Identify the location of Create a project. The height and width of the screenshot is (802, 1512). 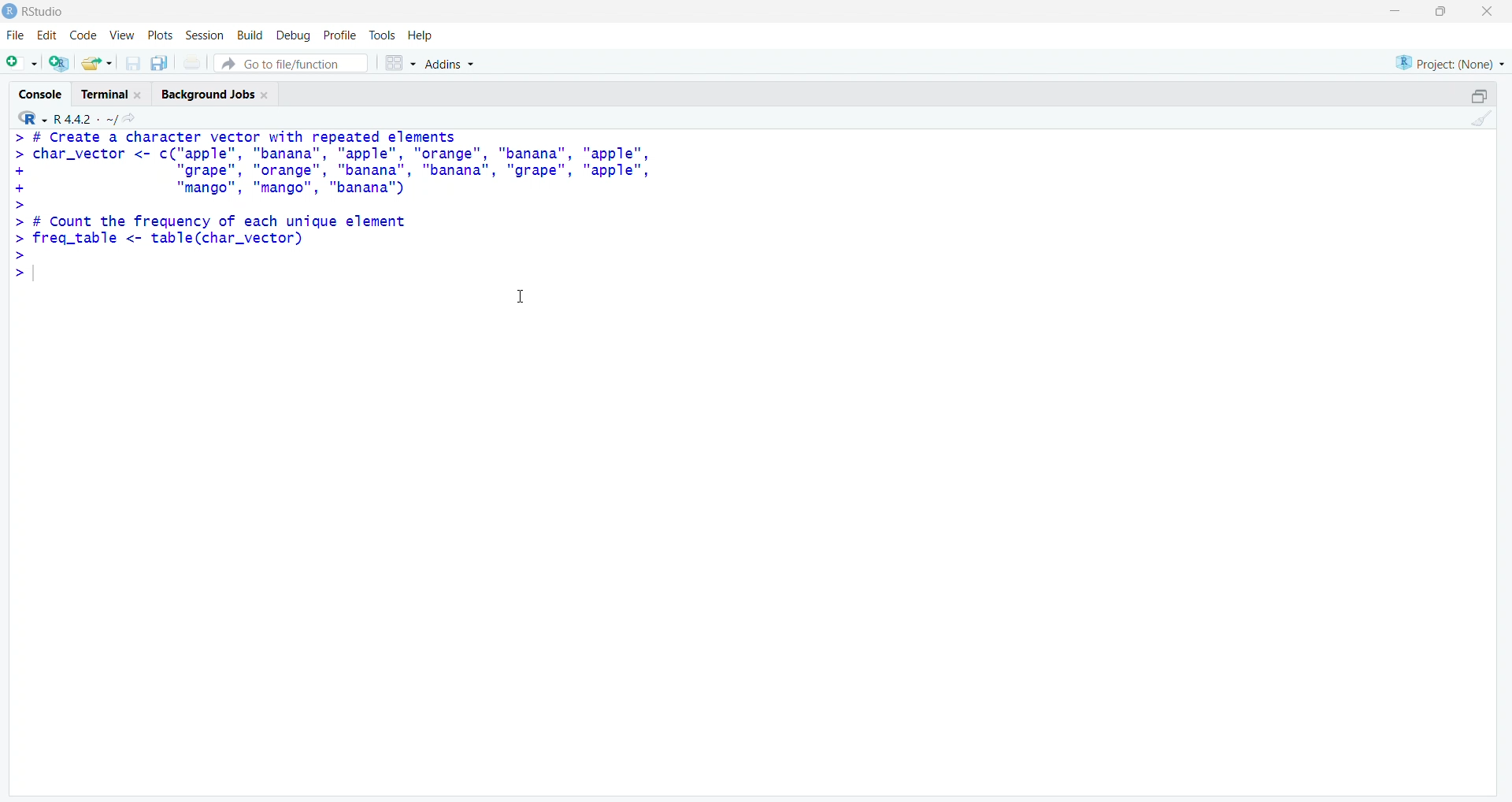
(59, 63).